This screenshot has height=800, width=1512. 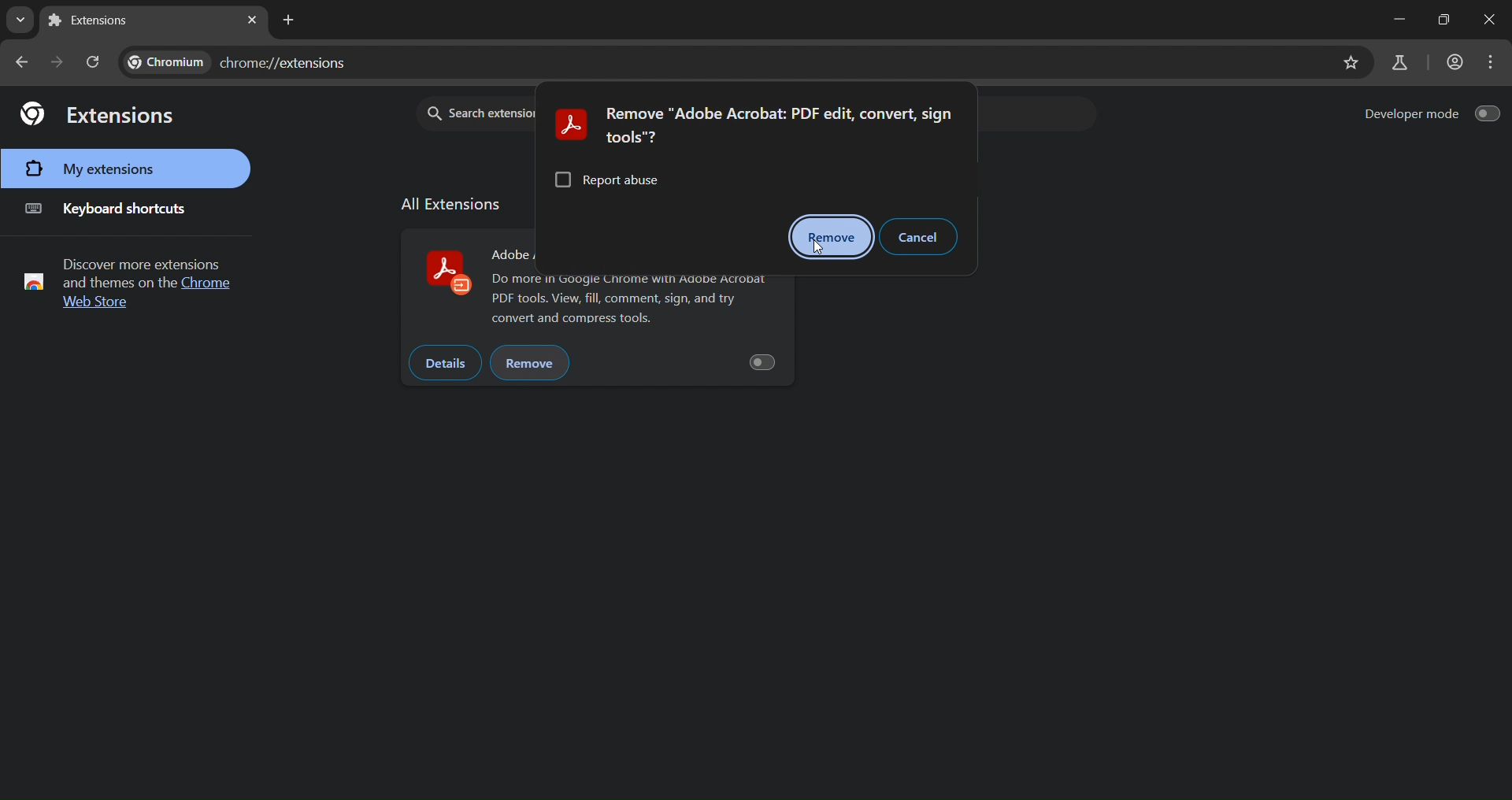 I want to click on allextension, so click(x=450, y=203).